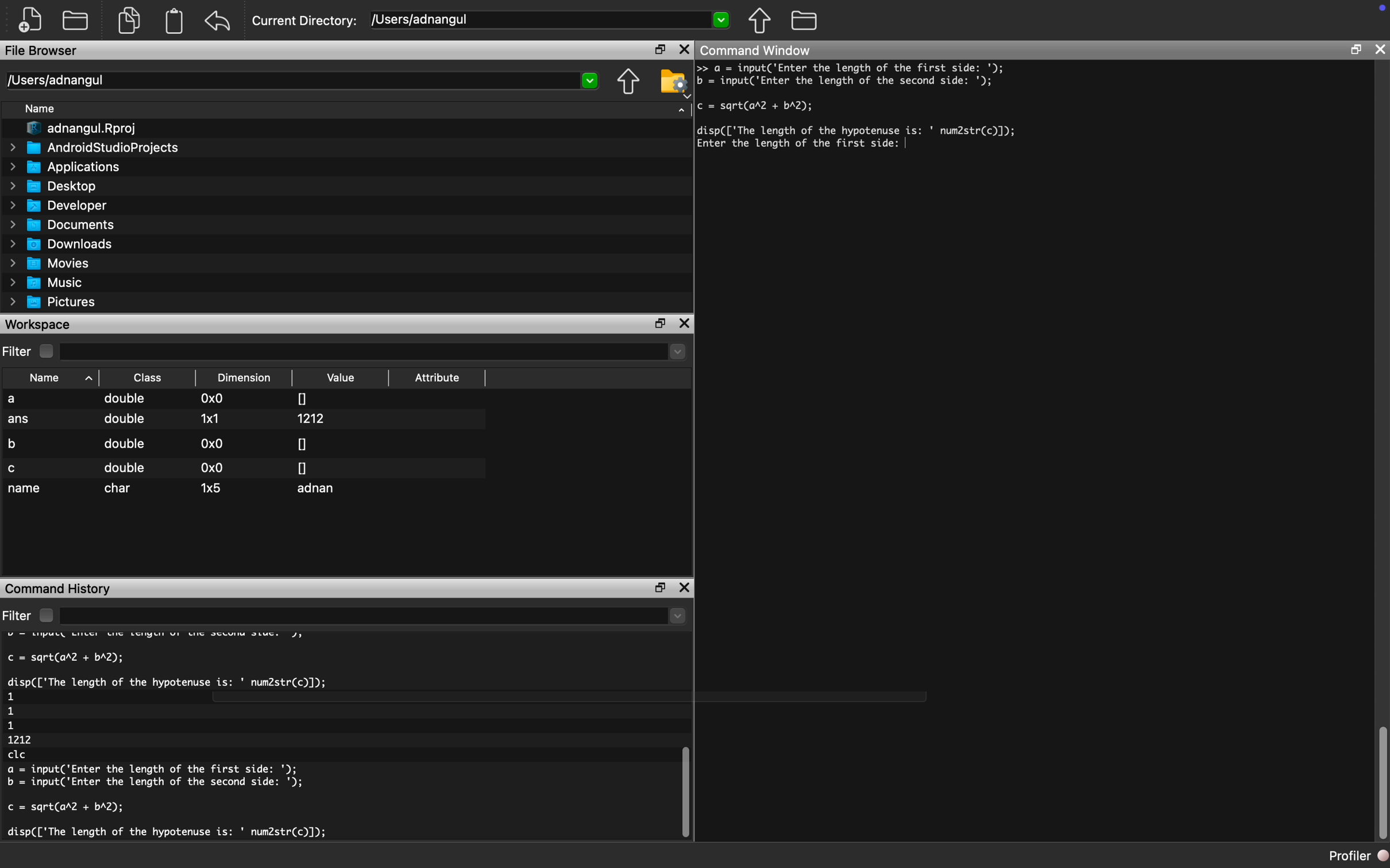  I want to click on  Downloads, so click(67, 243).